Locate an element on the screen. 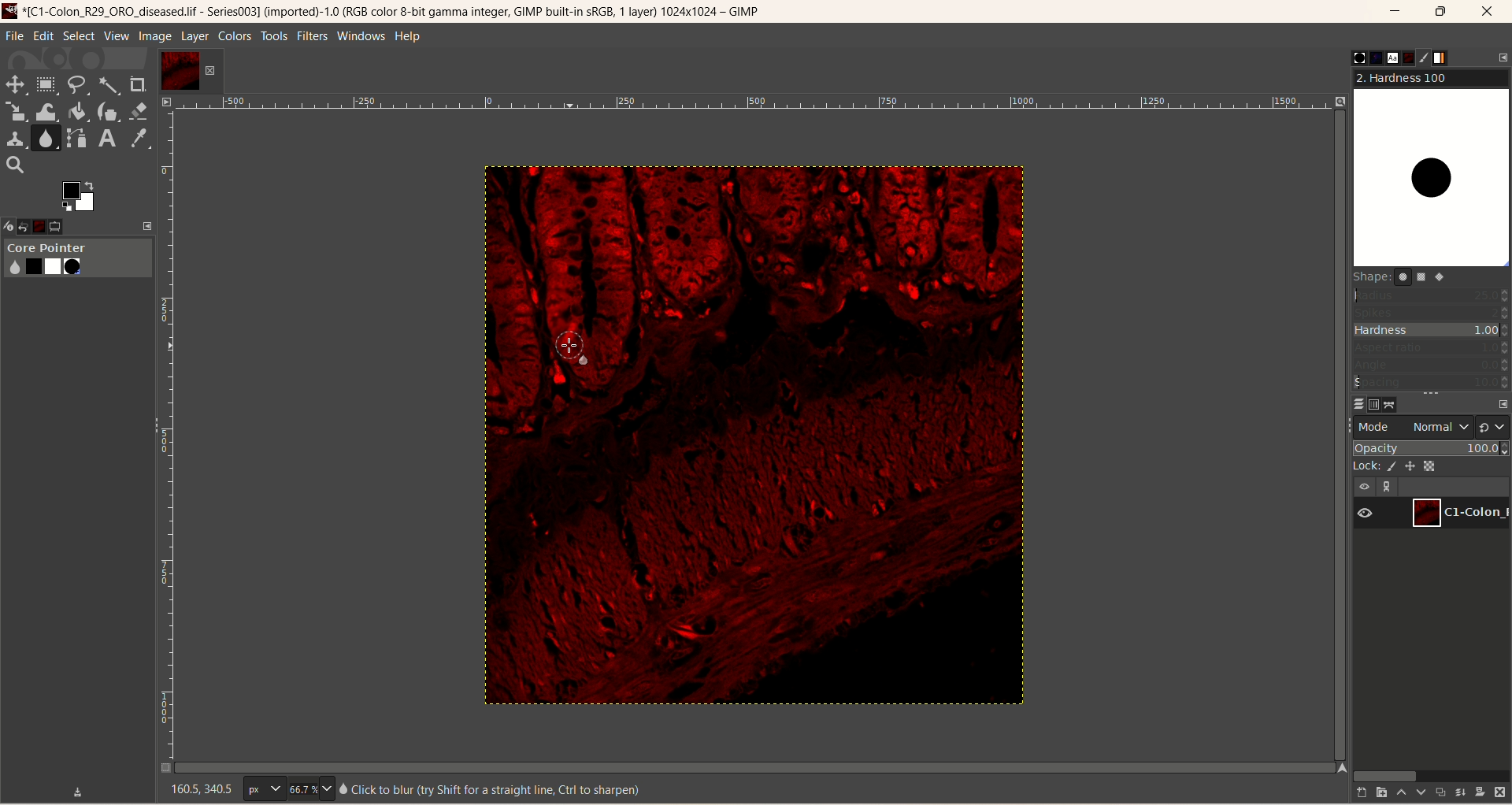 The height and width of the screenshot is (805, 1512). gradient is located at coordinates (1450, 58).